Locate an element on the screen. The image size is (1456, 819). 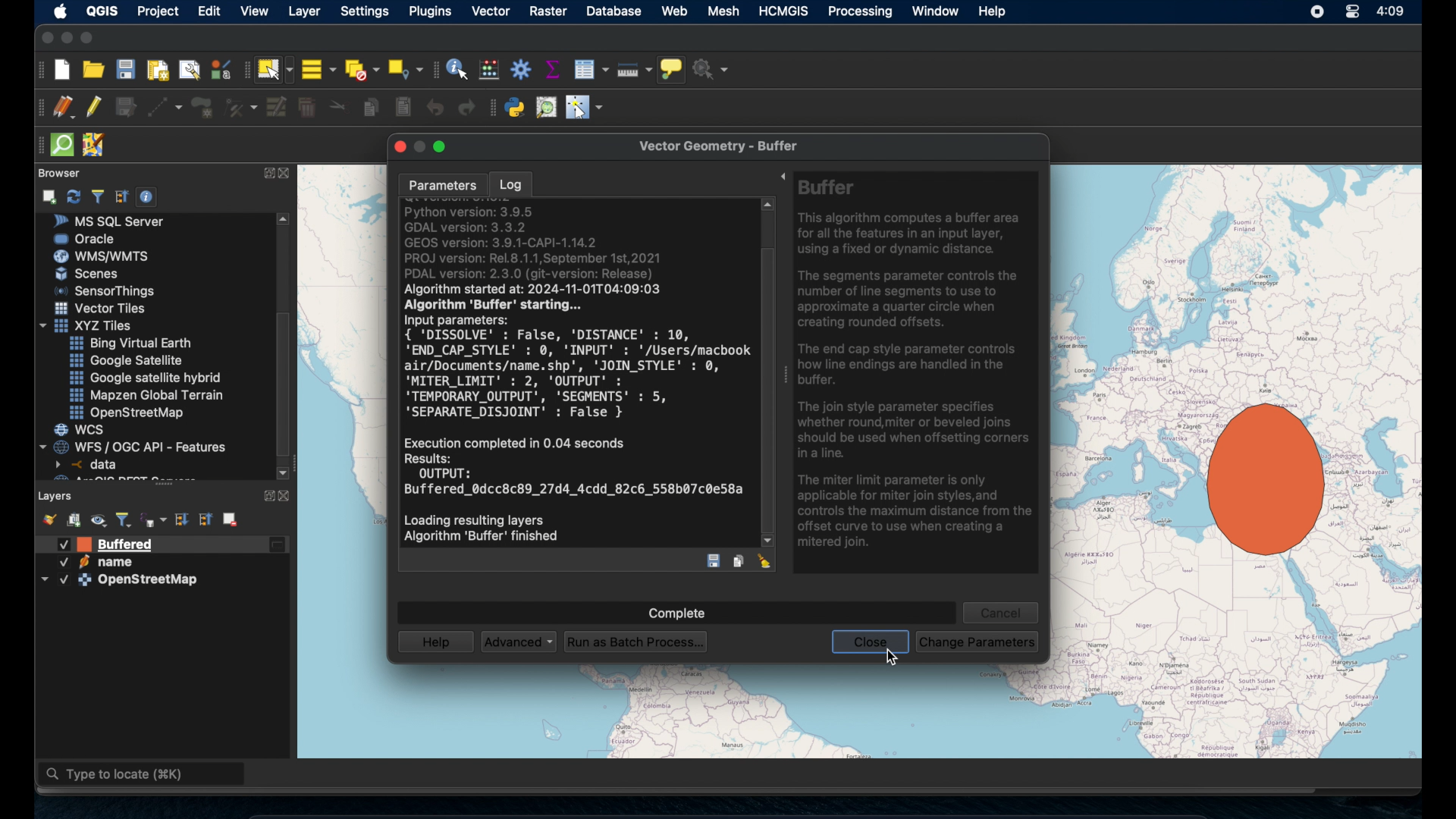
minimize is located at coordinates (65, 38).